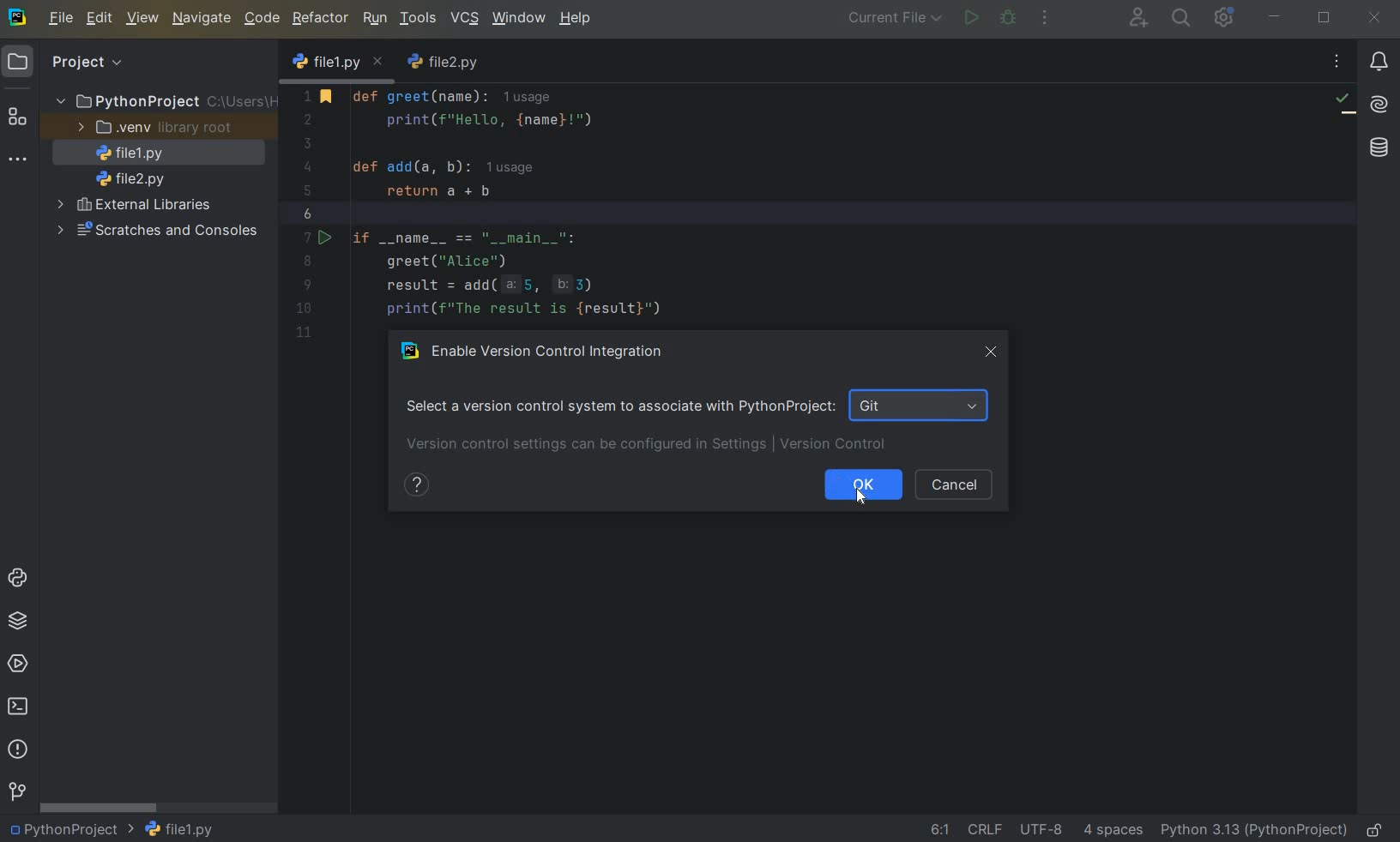 The height and width of the screenshot is (842, 1400). I want to click on help, so click(576, 19).